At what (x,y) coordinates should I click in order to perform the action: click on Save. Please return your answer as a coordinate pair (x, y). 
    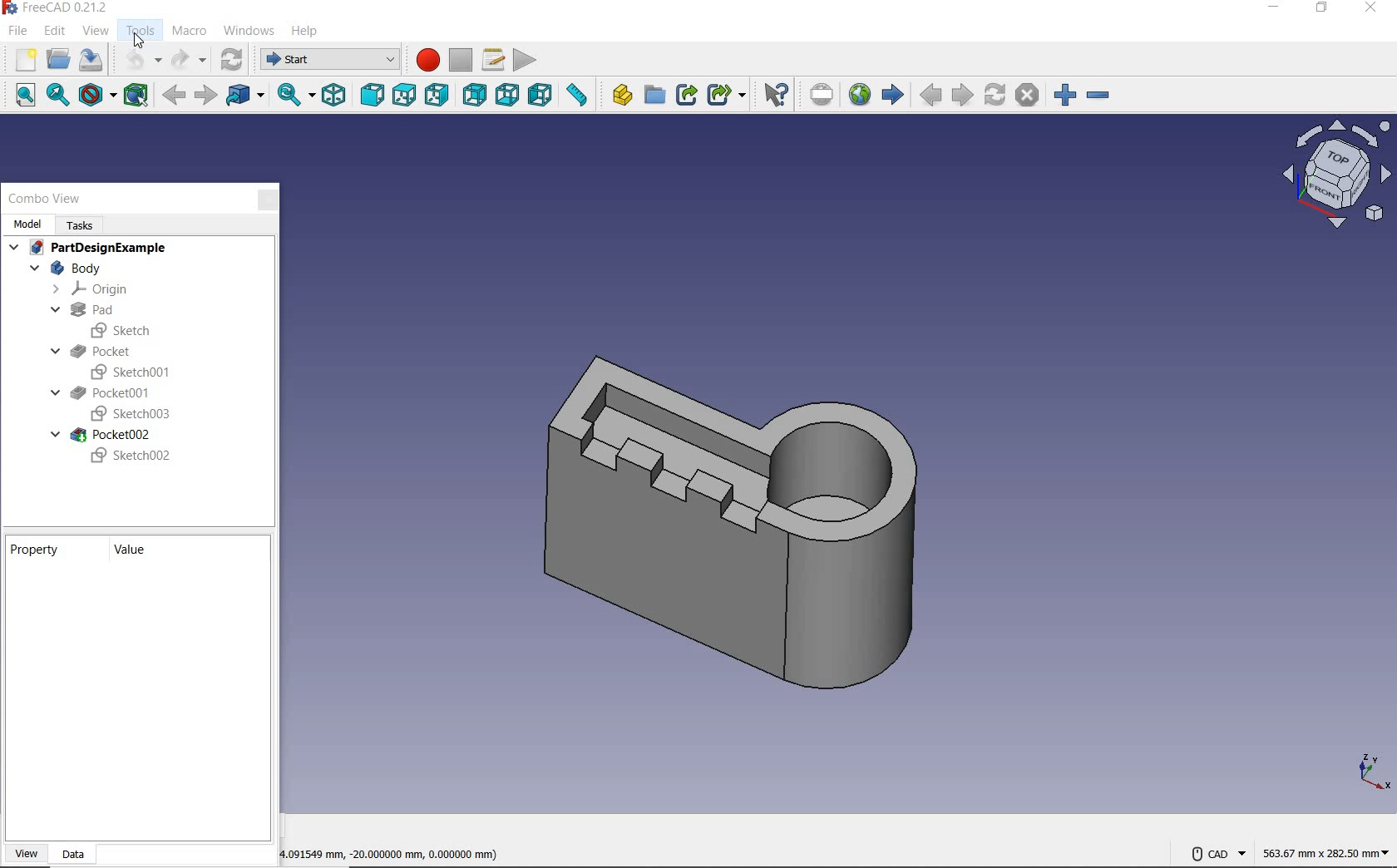
    Looking at the image, I should click on (90, 59).